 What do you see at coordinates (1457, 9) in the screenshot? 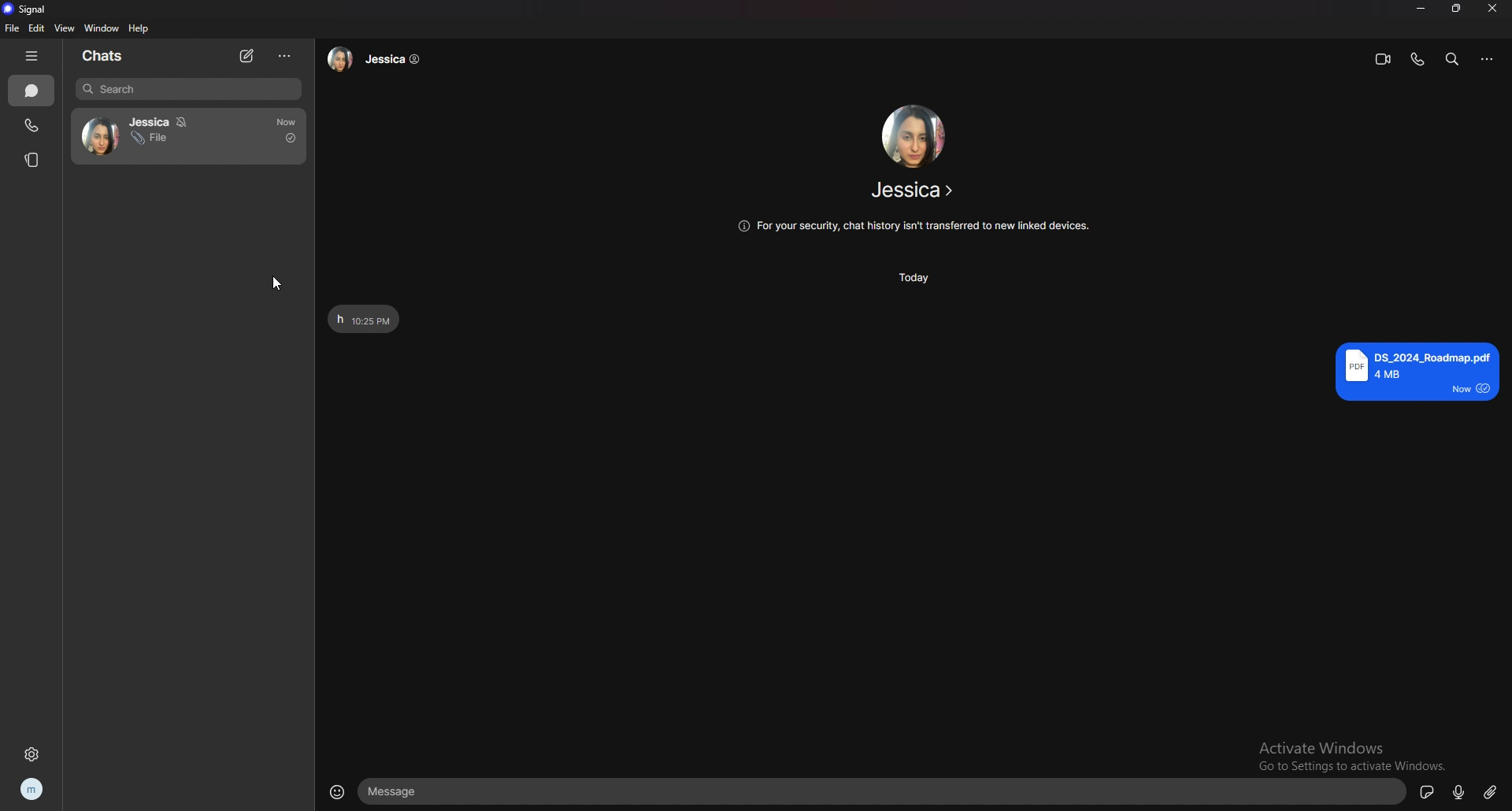
I see `resize` at bounding box center [1457, 9].